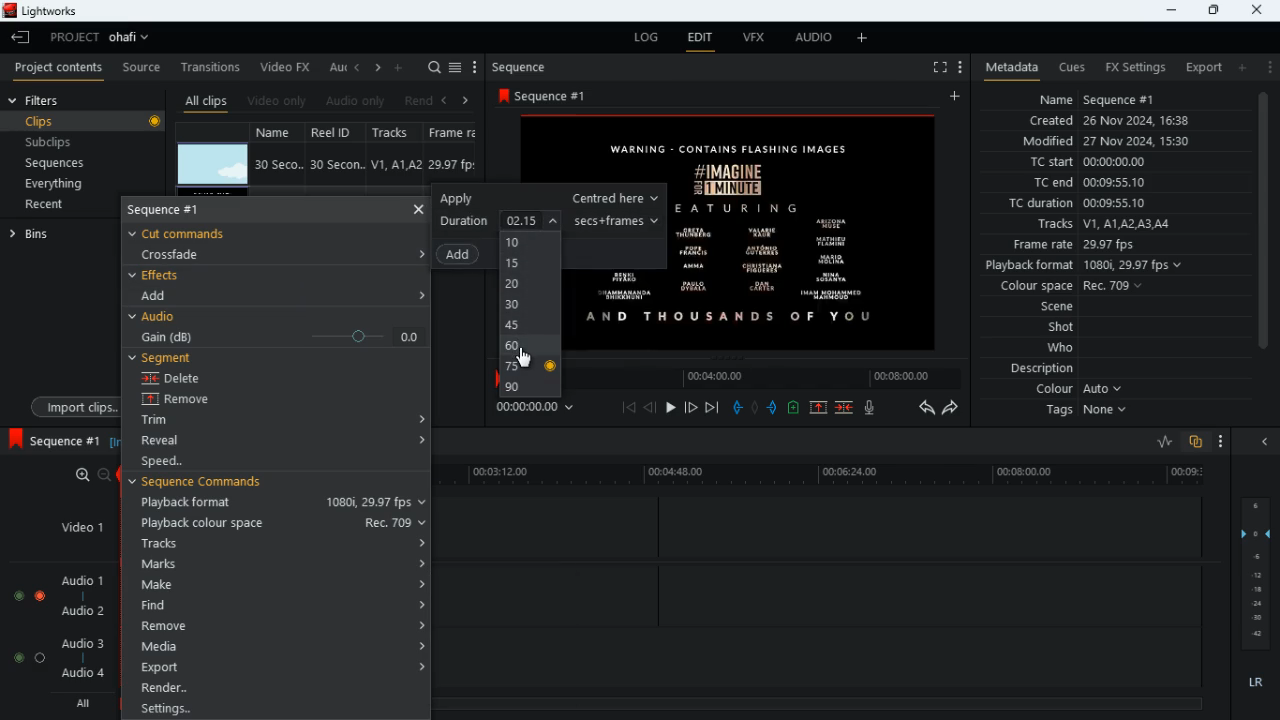 The image size is (1280, 720). What do you see at coordinates (78, 581) in the screenshot?
I see `audio 1` at bounding box center [78, 581].